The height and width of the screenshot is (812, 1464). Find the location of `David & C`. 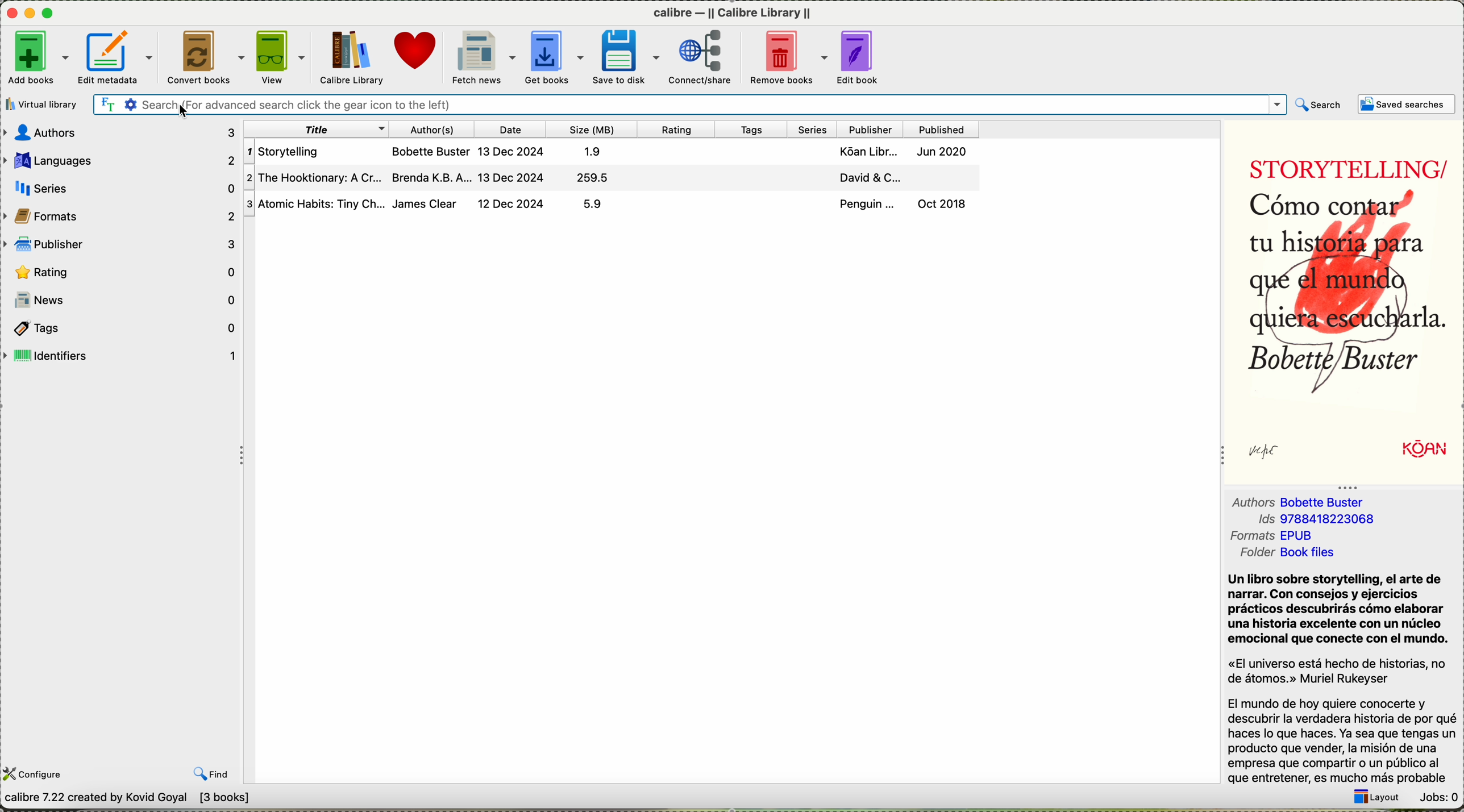

David & C is located at coordinates (864, 177).